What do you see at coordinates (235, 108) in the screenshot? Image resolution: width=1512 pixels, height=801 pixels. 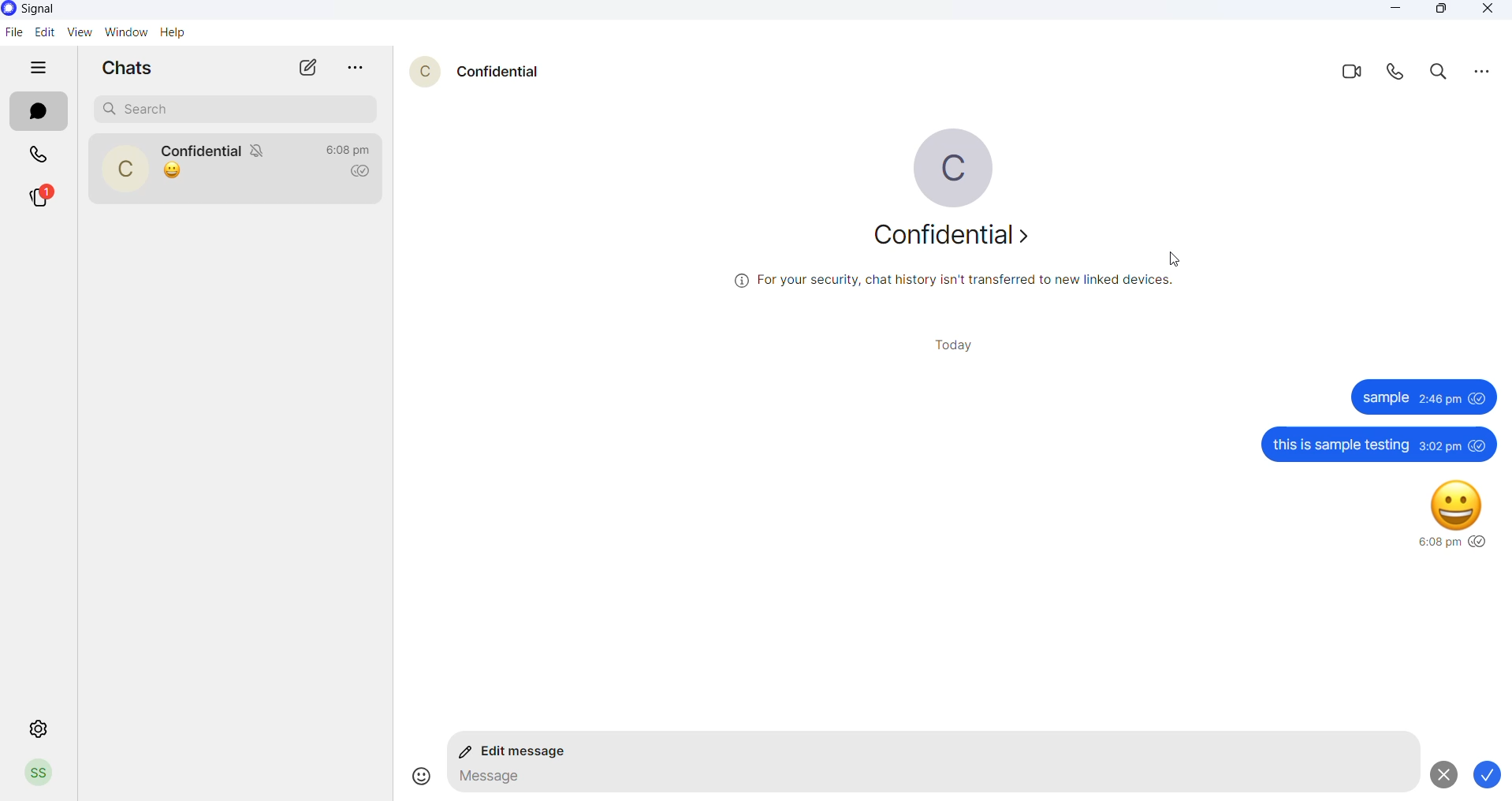 I see `search chat` at bounding box center [235, 108].